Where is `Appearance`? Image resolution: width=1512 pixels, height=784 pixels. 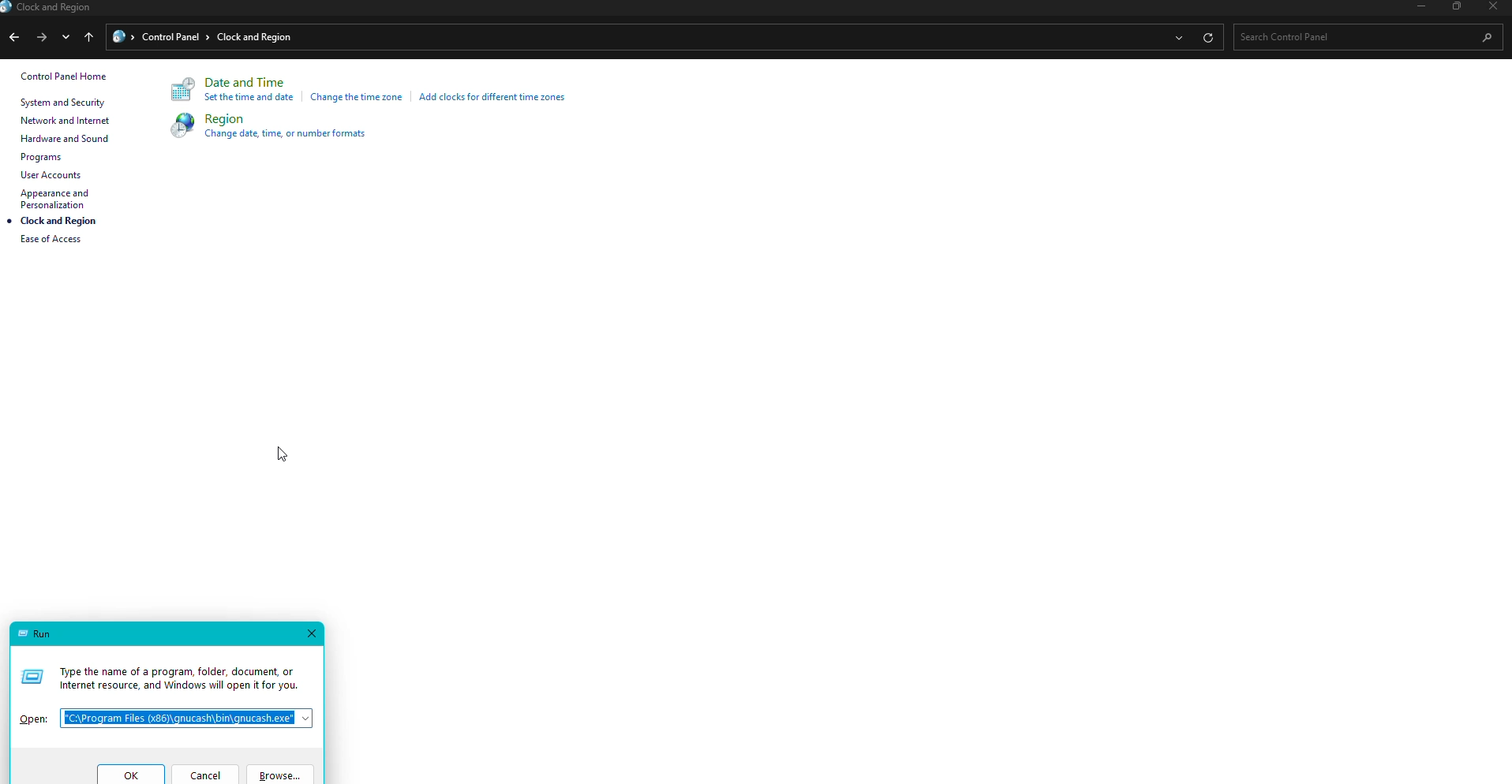 Appearance is located at coordinates (60, 199).